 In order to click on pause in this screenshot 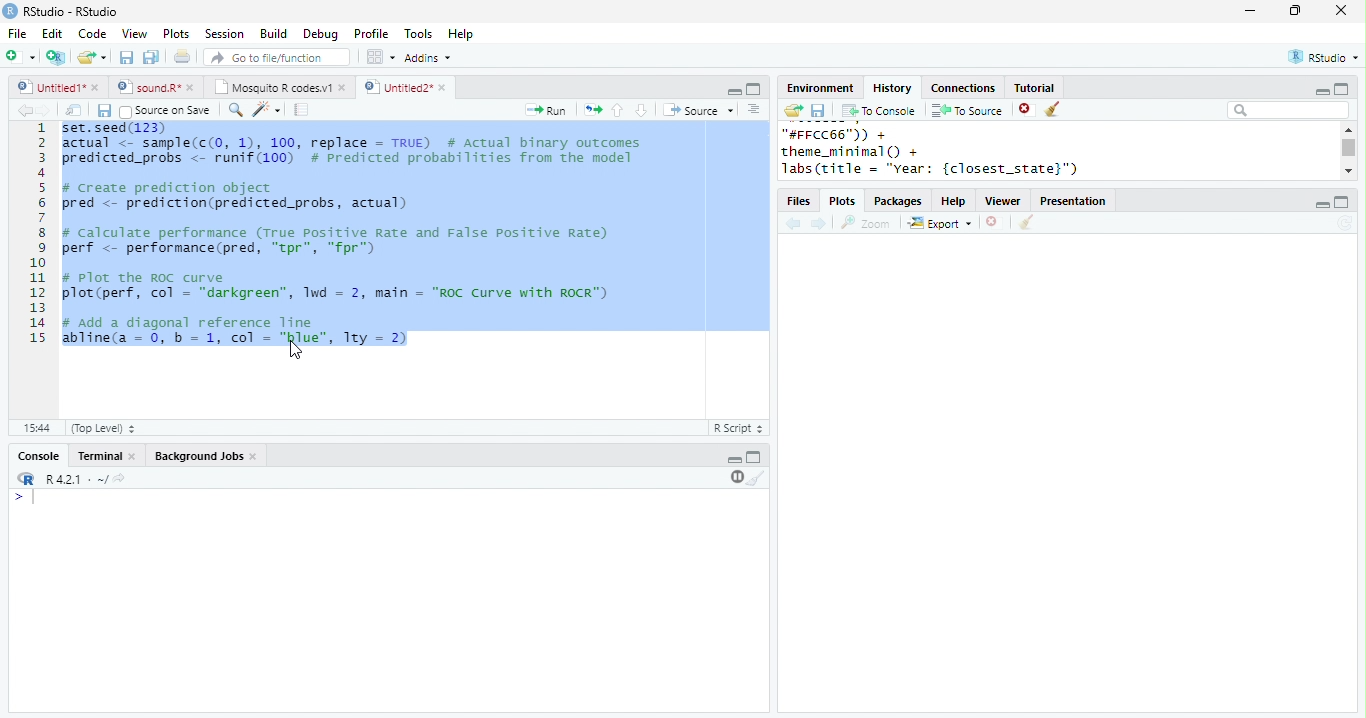, I will do `click(735, 477)`.